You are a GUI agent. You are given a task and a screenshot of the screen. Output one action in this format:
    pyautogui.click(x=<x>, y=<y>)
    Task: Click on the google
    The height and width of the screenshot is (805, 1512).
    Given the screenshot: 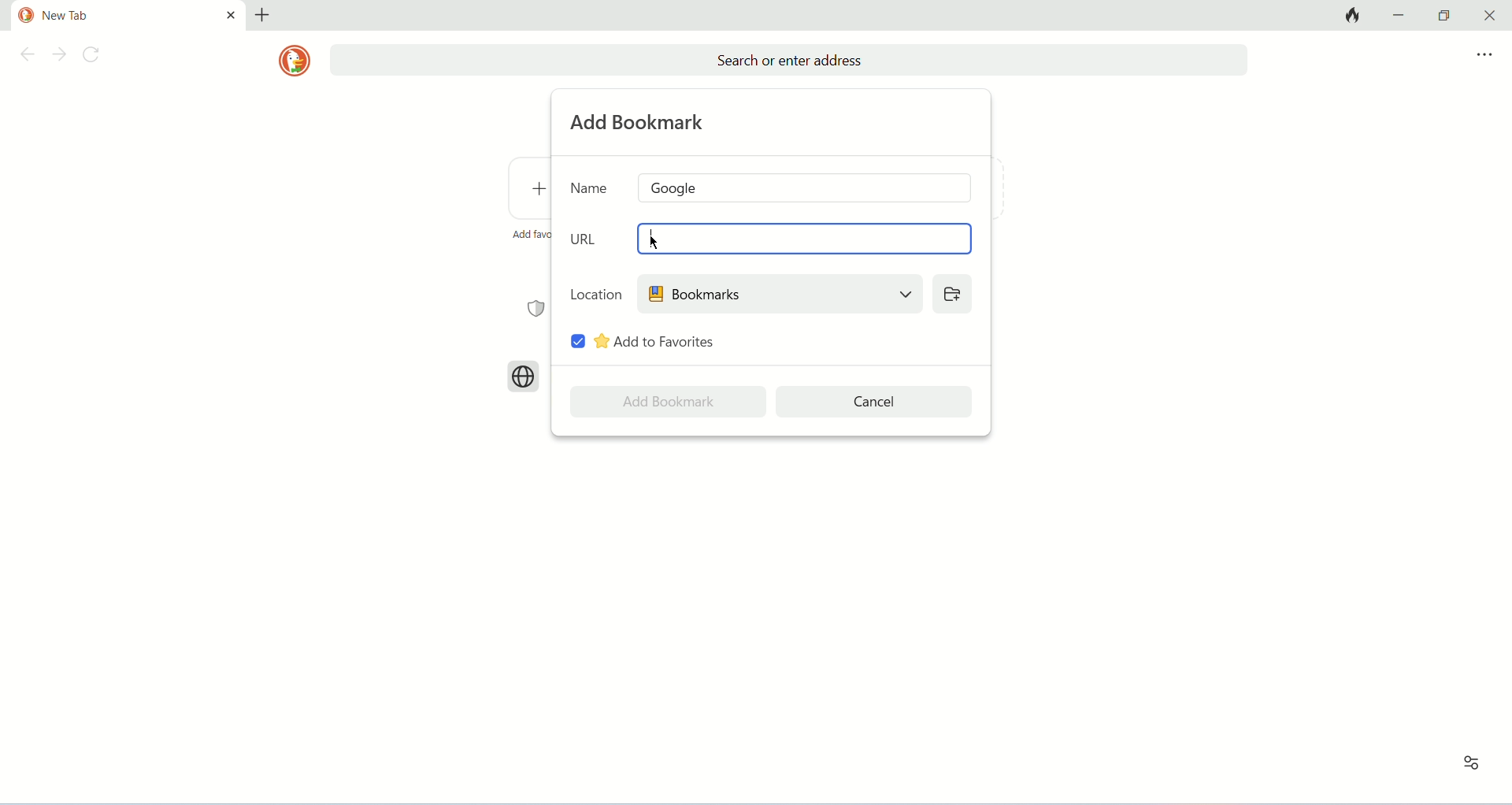 What is the action you would take?
    pyautogui.click(x=806, y=187)
    